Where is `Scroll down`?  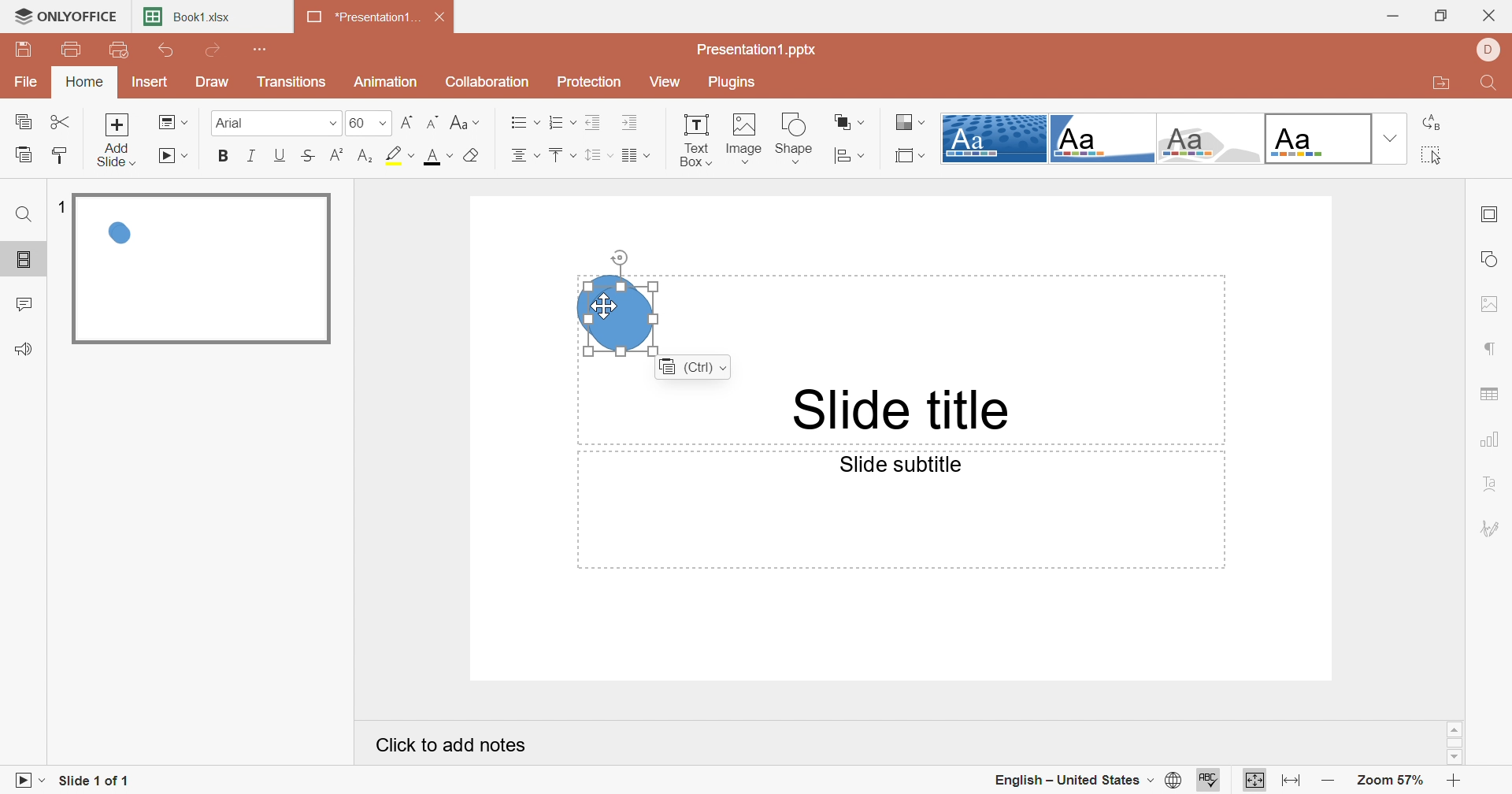 Scroll down is located at coordinates (1453, 756).